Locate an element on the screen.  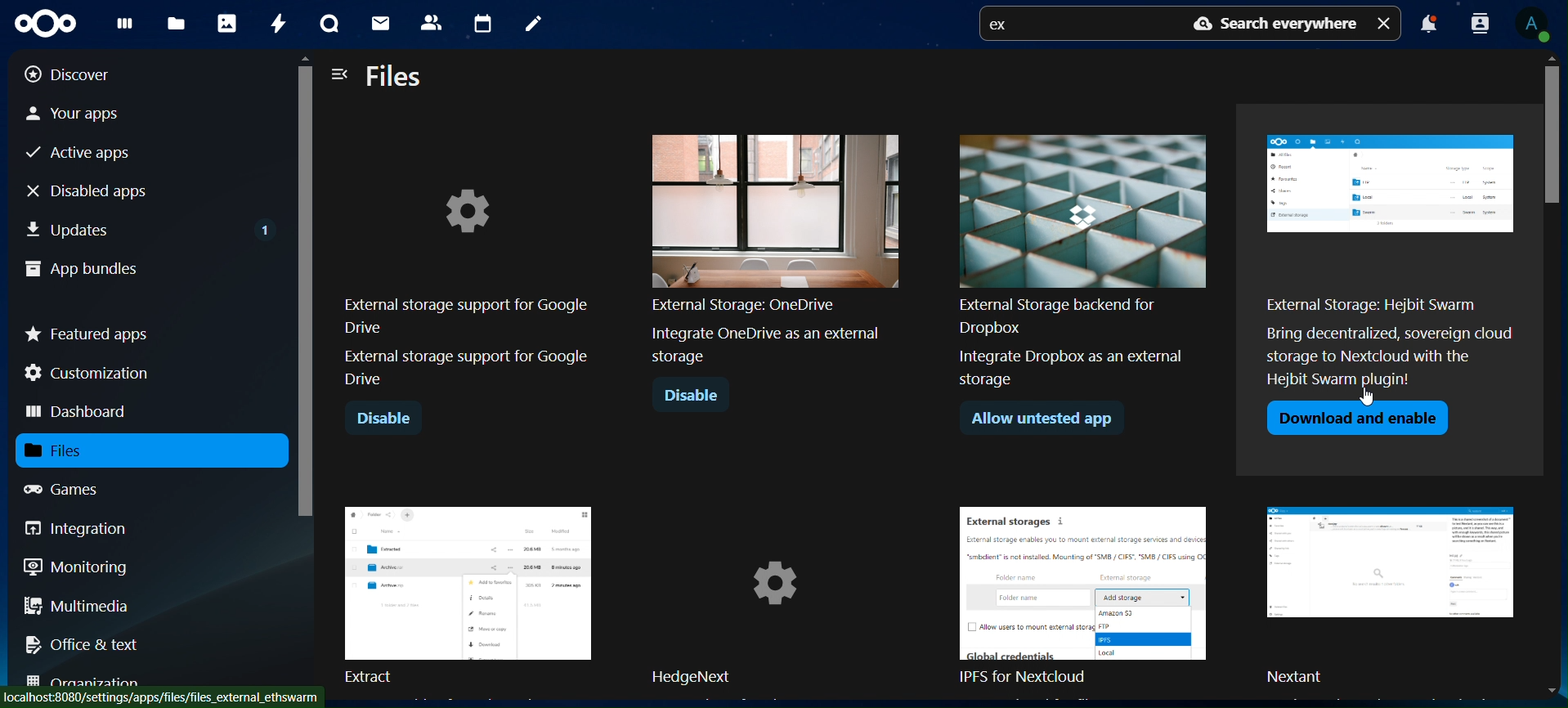
talk is located at coordinates (326, 25).